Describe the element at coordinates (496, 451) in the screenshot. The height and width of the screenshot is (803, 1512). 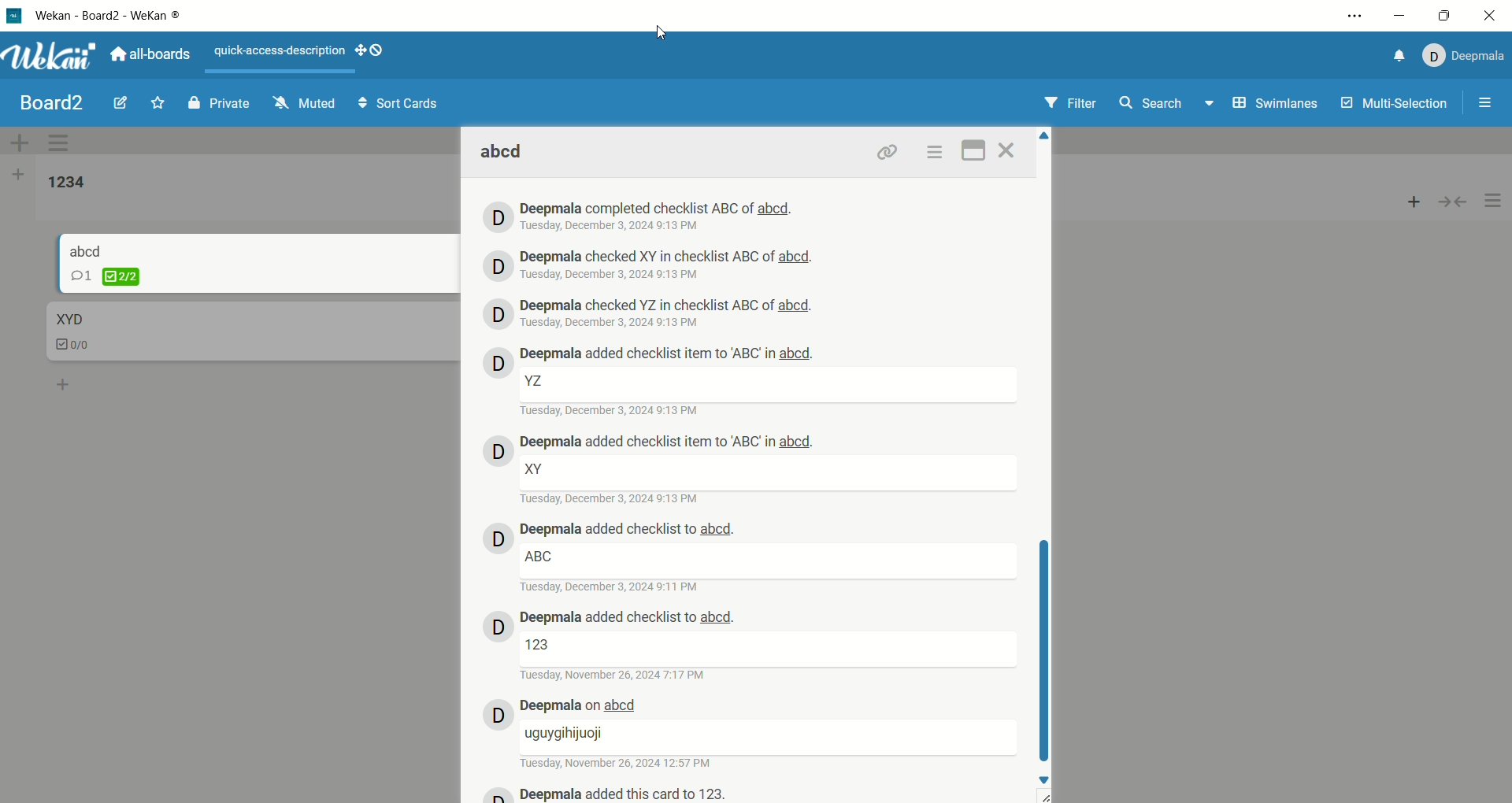
I see `avatar` at that location.